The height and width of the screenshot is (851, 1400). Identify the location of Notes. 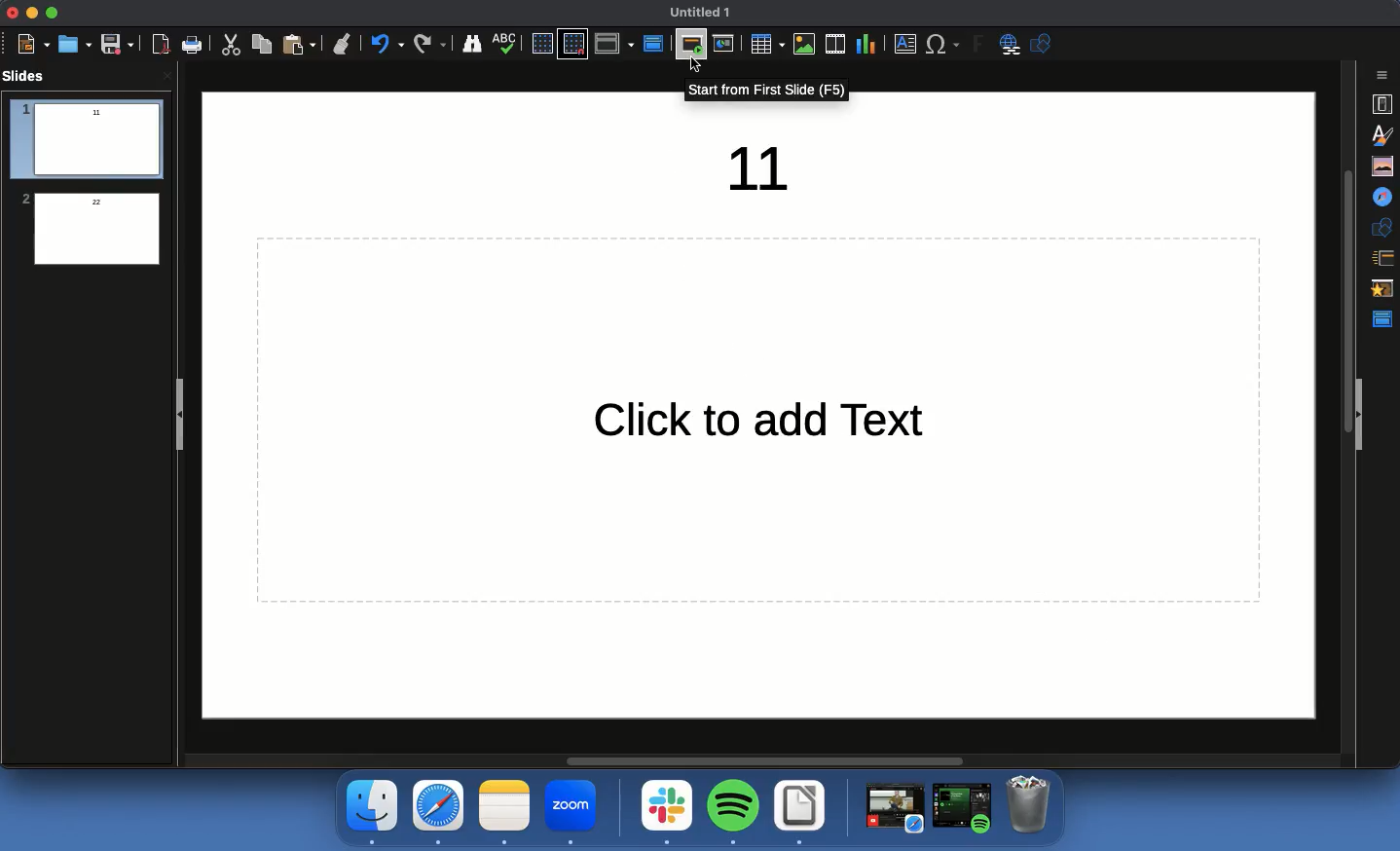
(505, 813).